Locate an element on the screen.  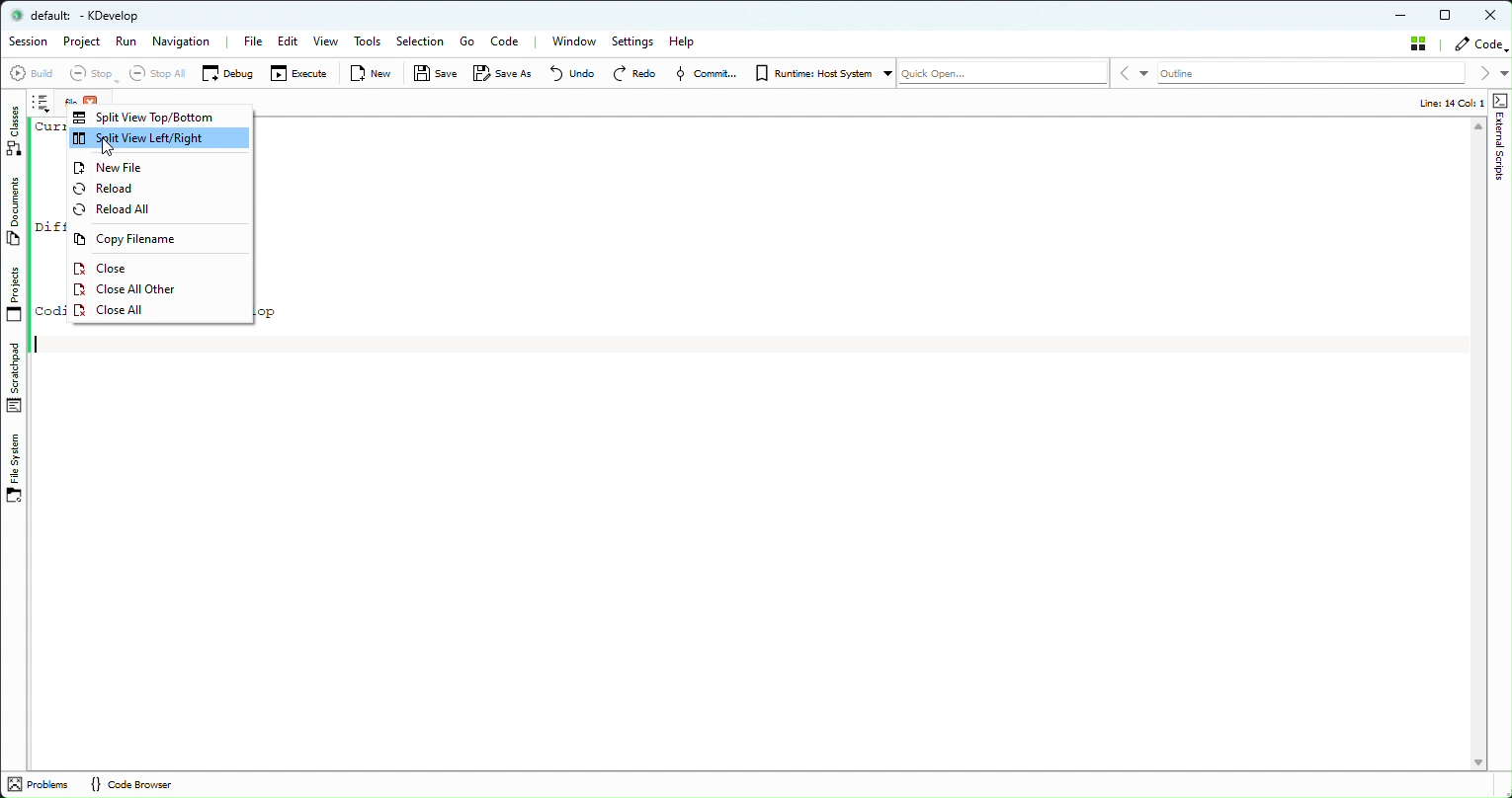
Code Browser is located at coordinates (138, 784).